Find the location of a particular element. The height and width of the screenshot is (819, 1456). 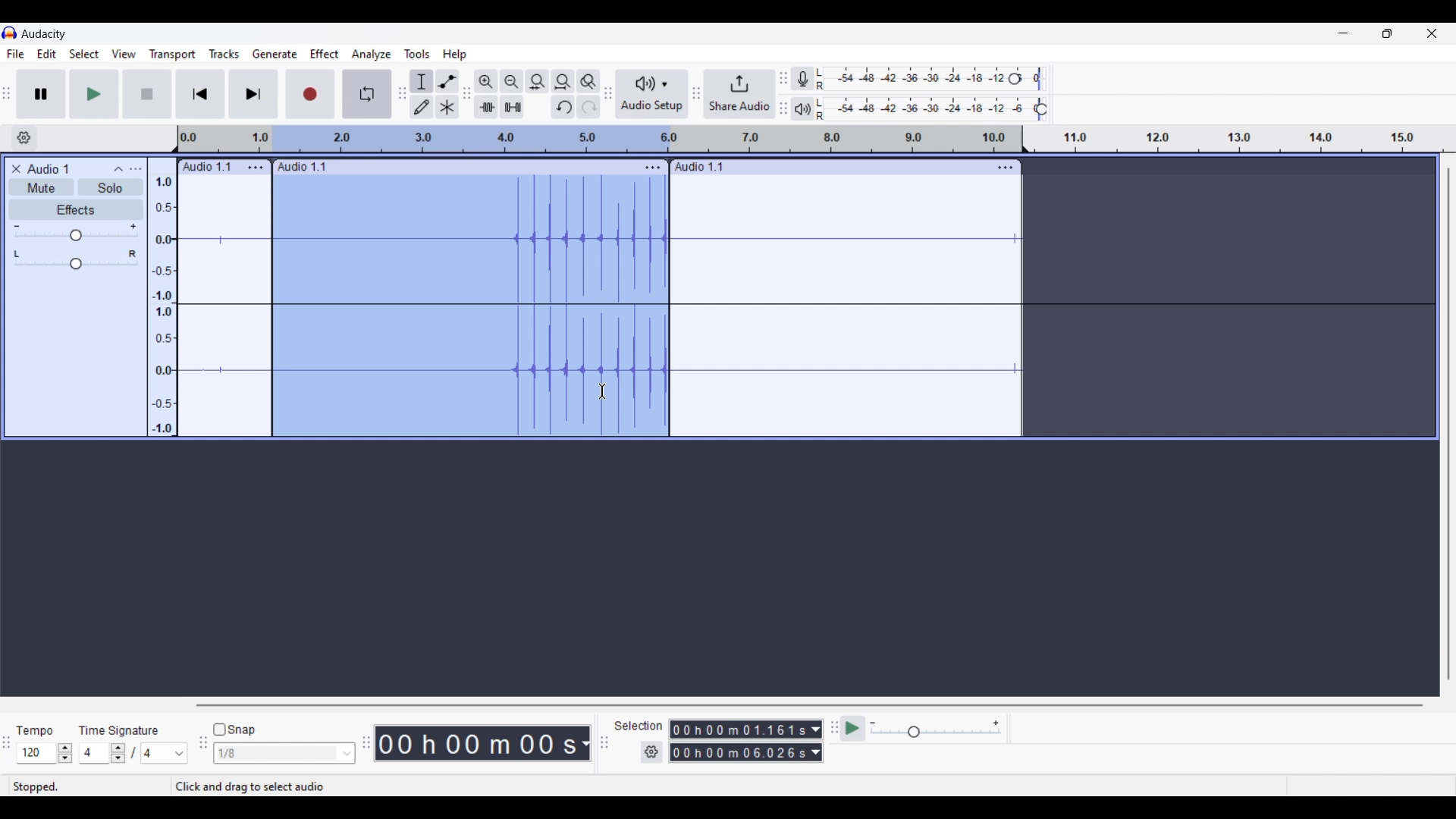

Software name is located at coordinates (45, 34).